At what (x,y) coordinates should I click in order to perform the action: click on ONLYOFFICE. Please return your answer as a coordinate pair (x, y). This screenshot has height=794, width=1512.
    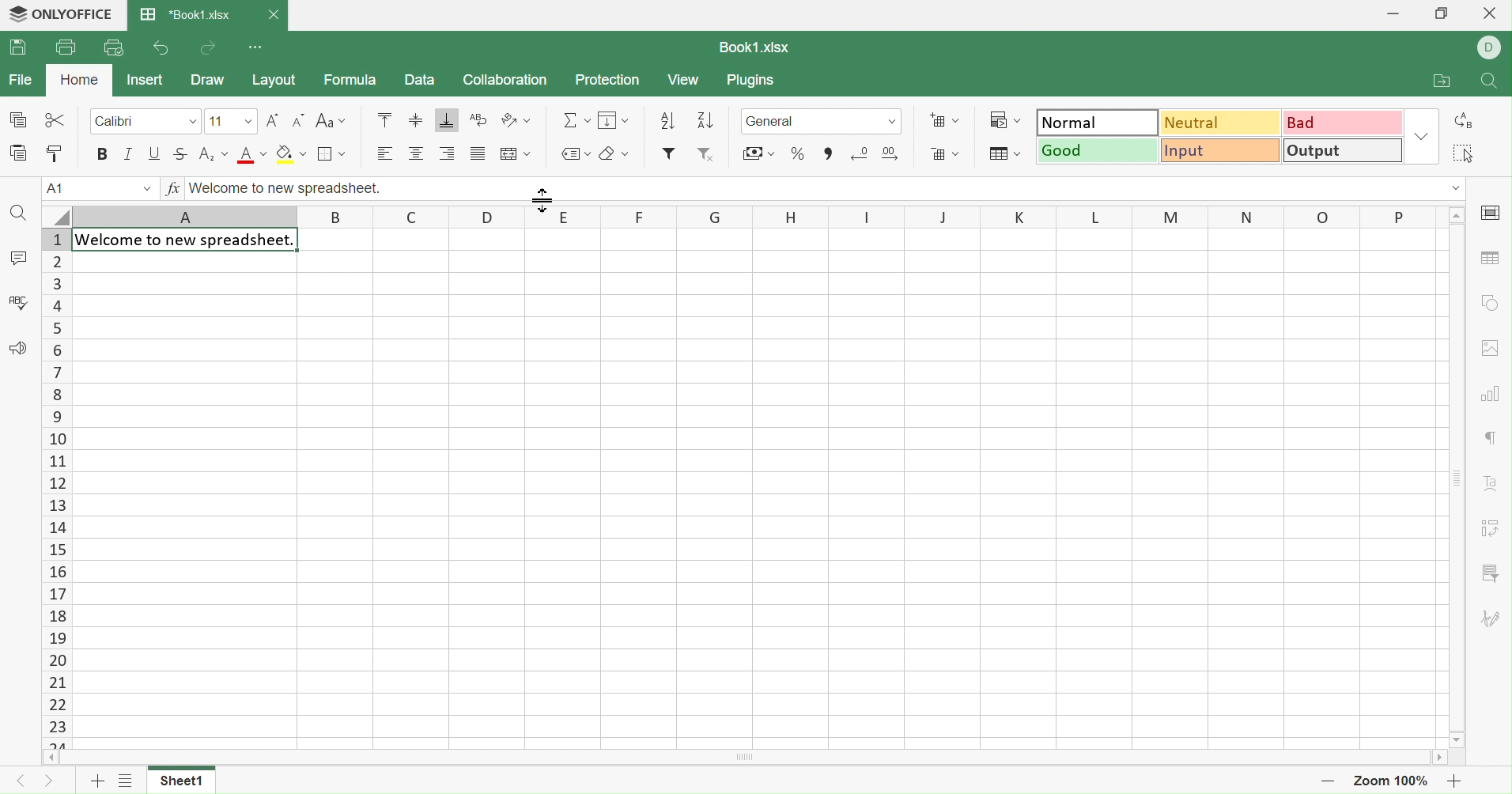
    Looking at the image, I should click on (63, 14).